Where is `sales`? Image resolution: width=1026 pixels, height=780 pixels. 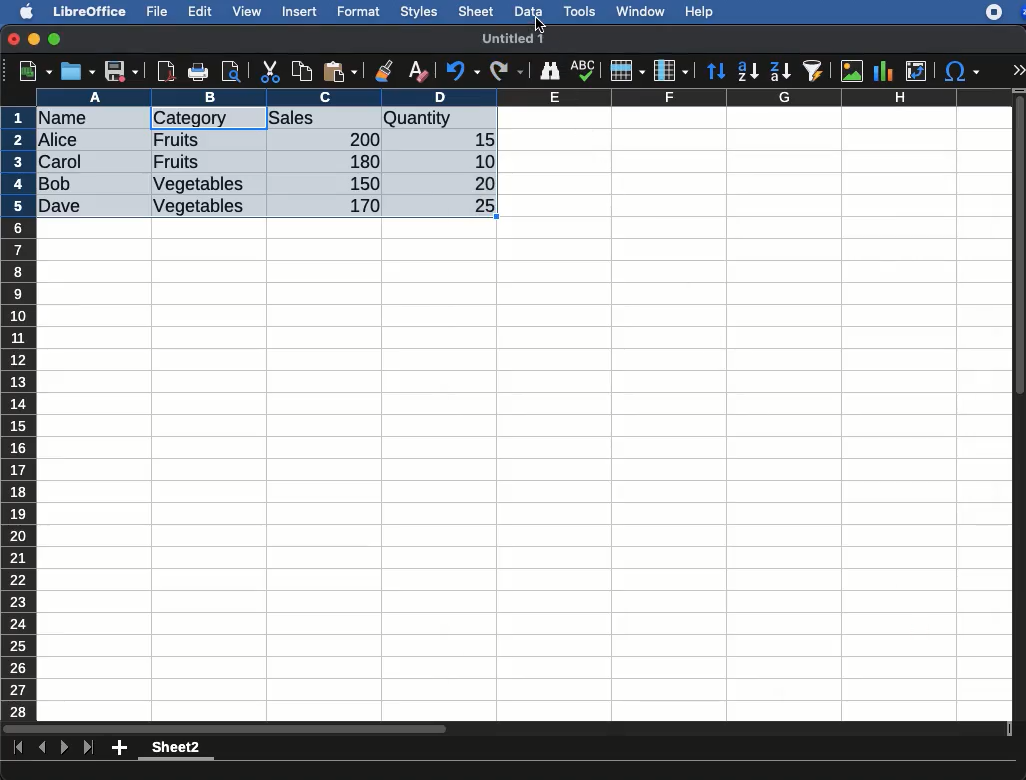
sales is located at coordinates (325, 119).